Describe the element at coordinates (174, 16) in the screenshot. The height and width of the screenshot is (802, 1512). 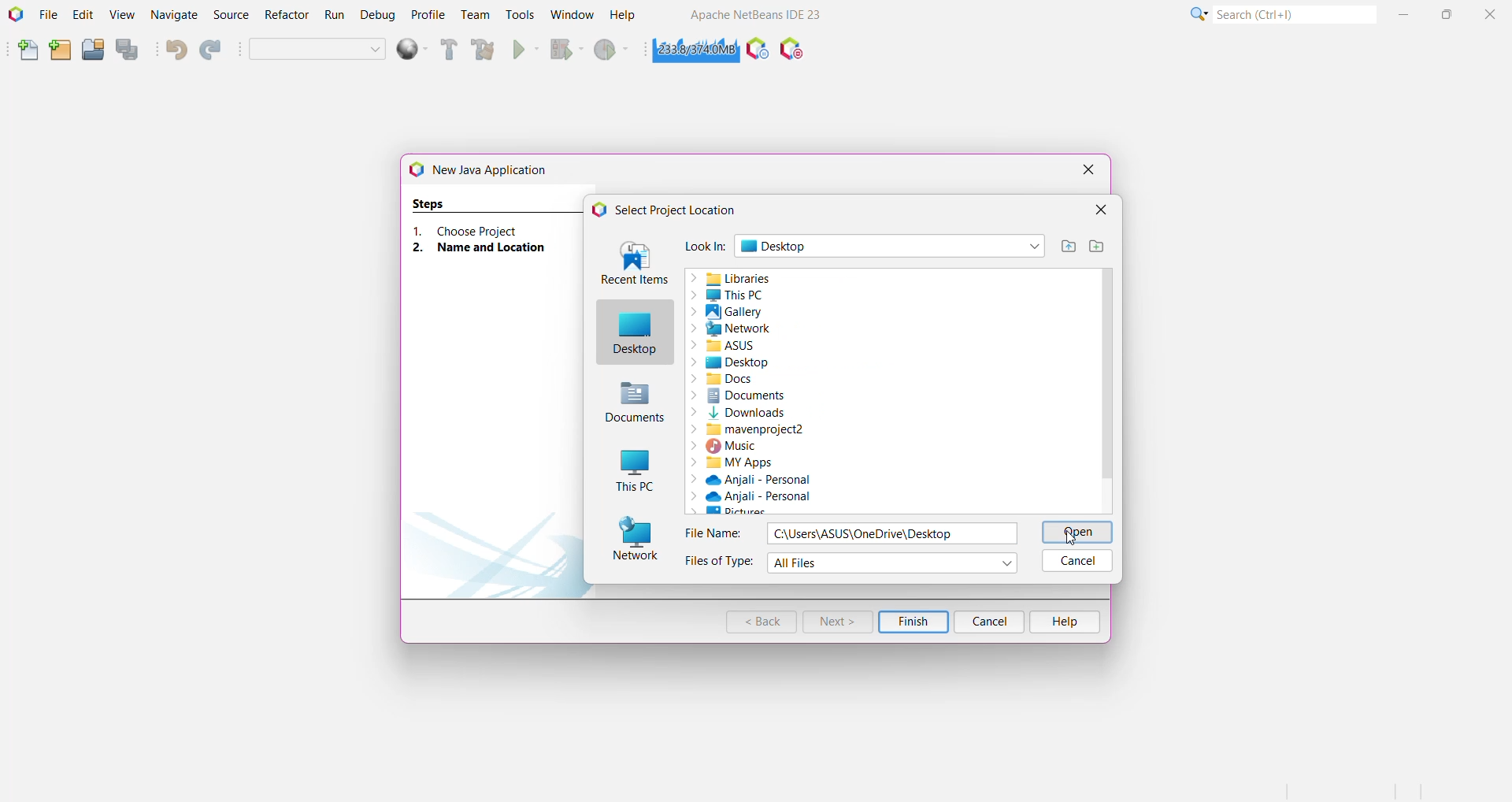
I see `Navigate` at that location.